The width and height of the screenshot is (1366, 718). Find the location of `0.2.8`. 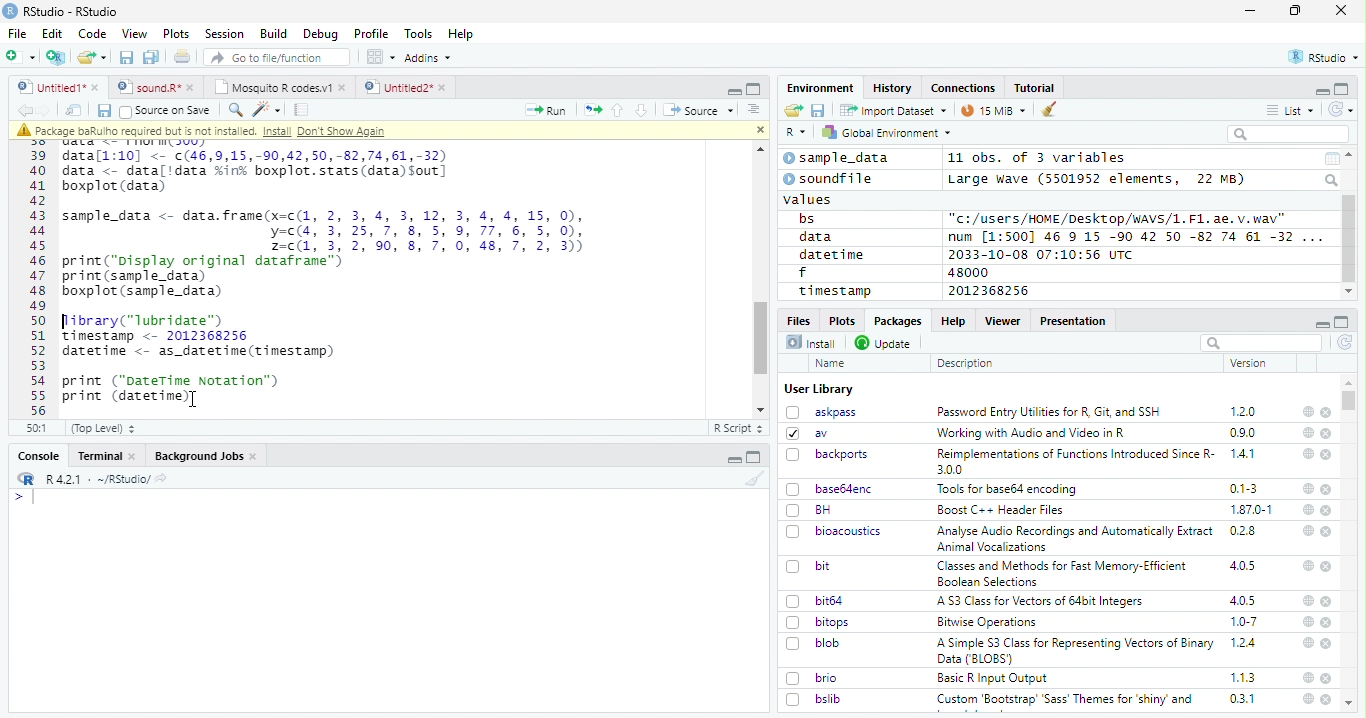

0.2.8 is located at coordinates (1244, 530).